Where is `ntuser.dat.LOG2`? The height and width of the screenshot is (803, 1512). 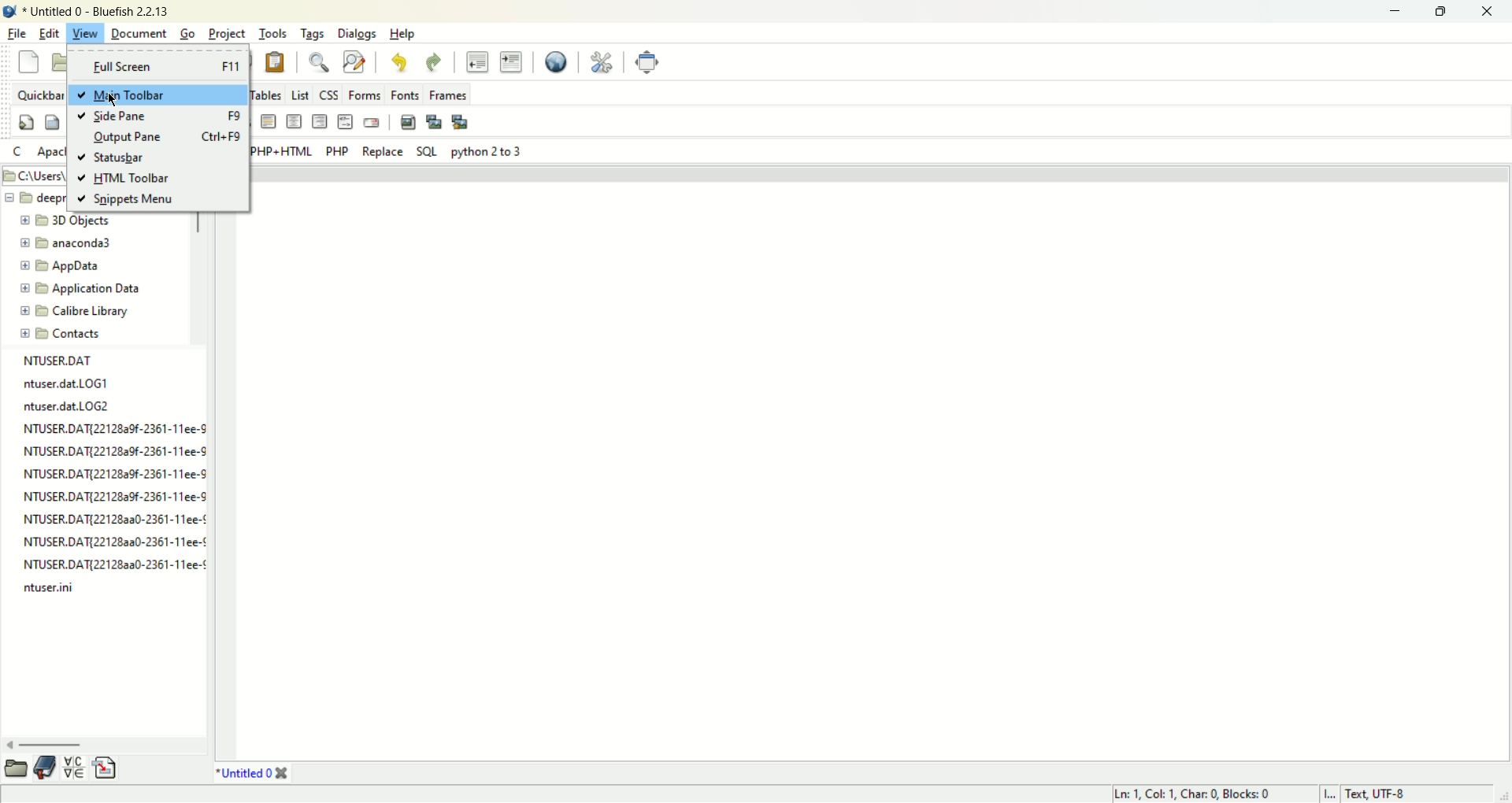
ntuser.dat.LOG2 is located at coordinates (71, 406).